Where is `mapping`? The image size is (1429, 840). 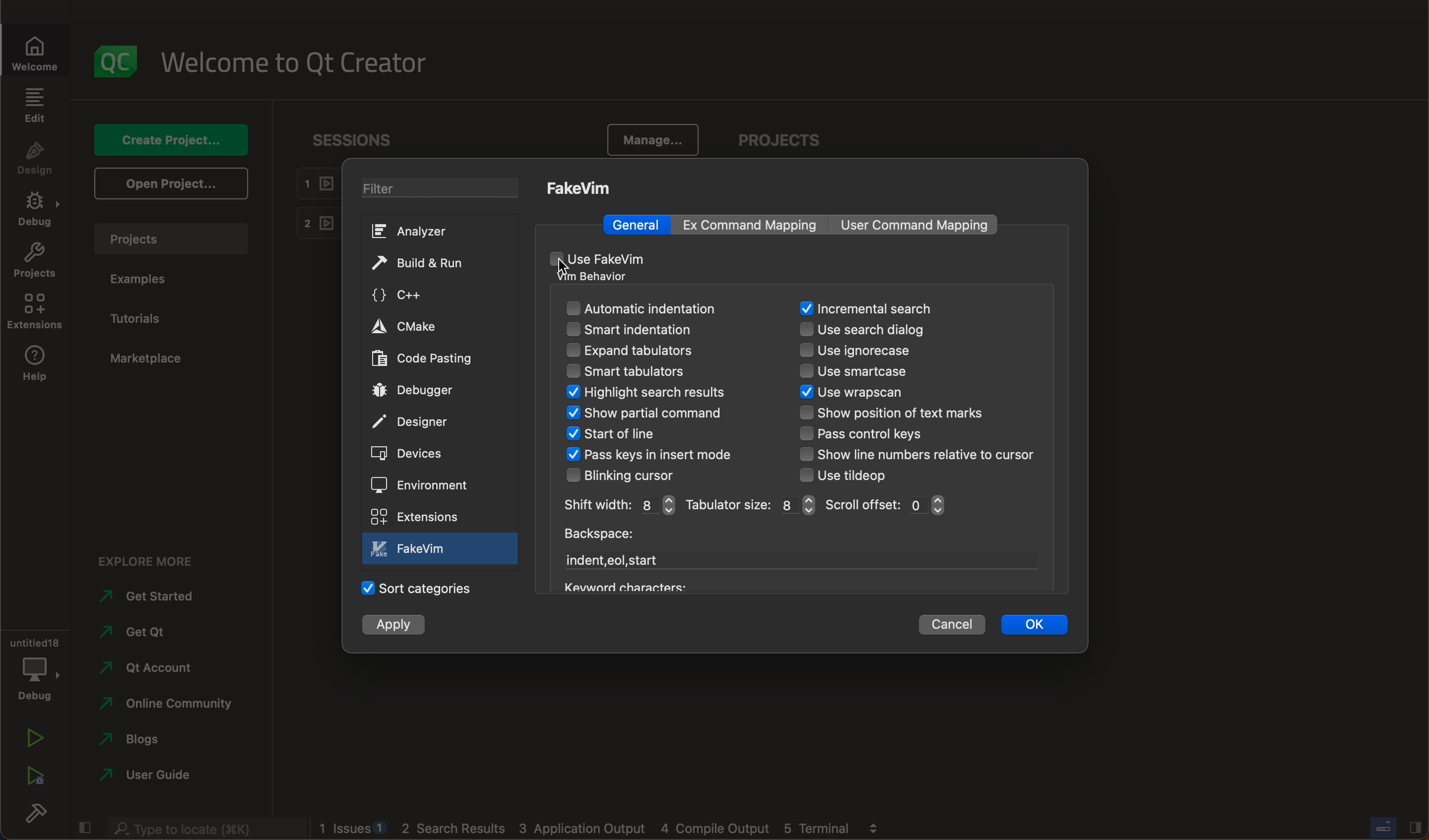
mapping is located at coordinates (758, 224).